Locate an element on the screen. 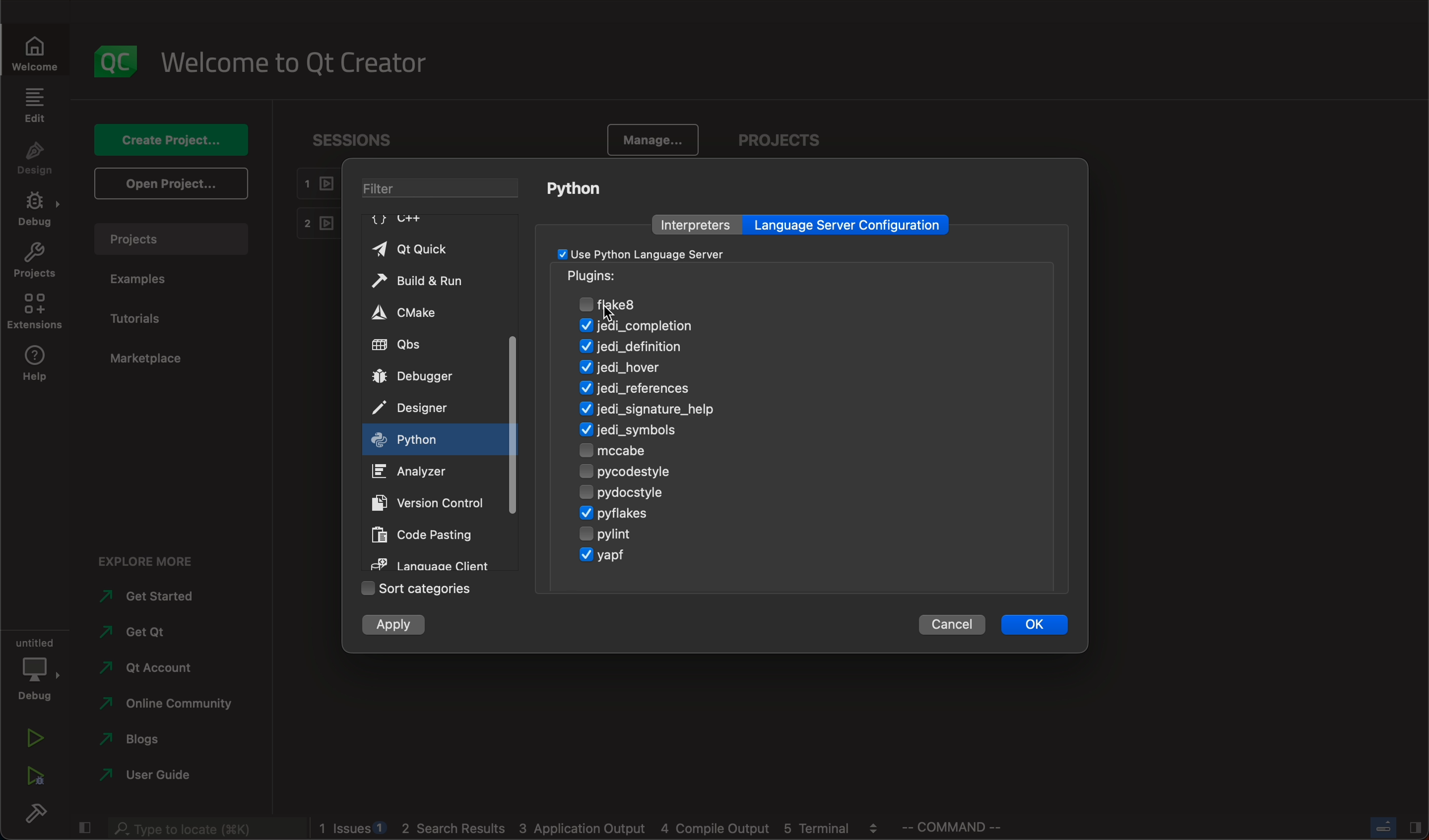 The height and width of the screenshot is (840, 1429). examples is located at coordinates (142, 282).